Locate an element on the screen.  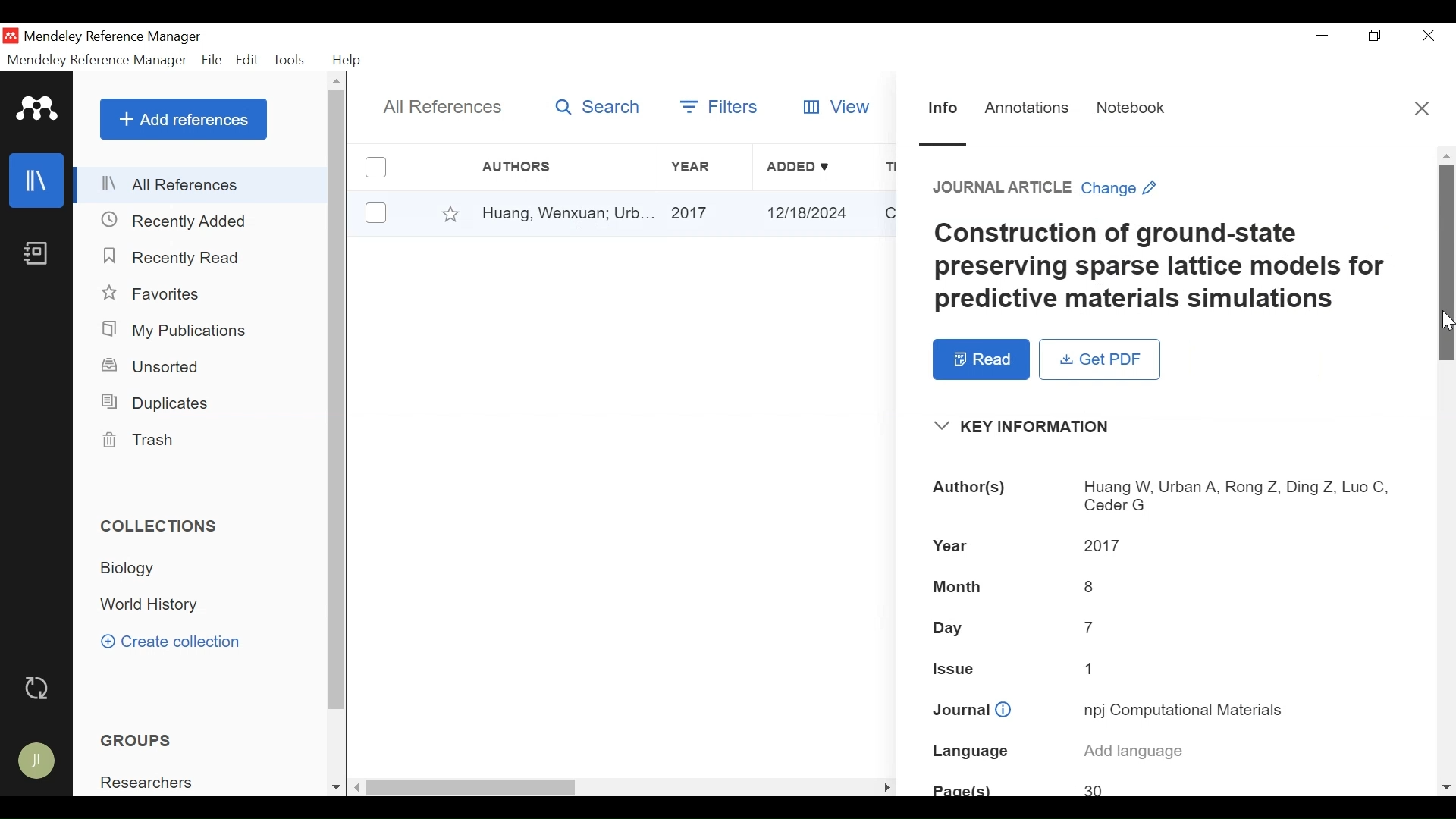
Huang W, Urban A, Rong Z, Ding Z, Luo C, Ceder G is located at coordinates (1238, 495).